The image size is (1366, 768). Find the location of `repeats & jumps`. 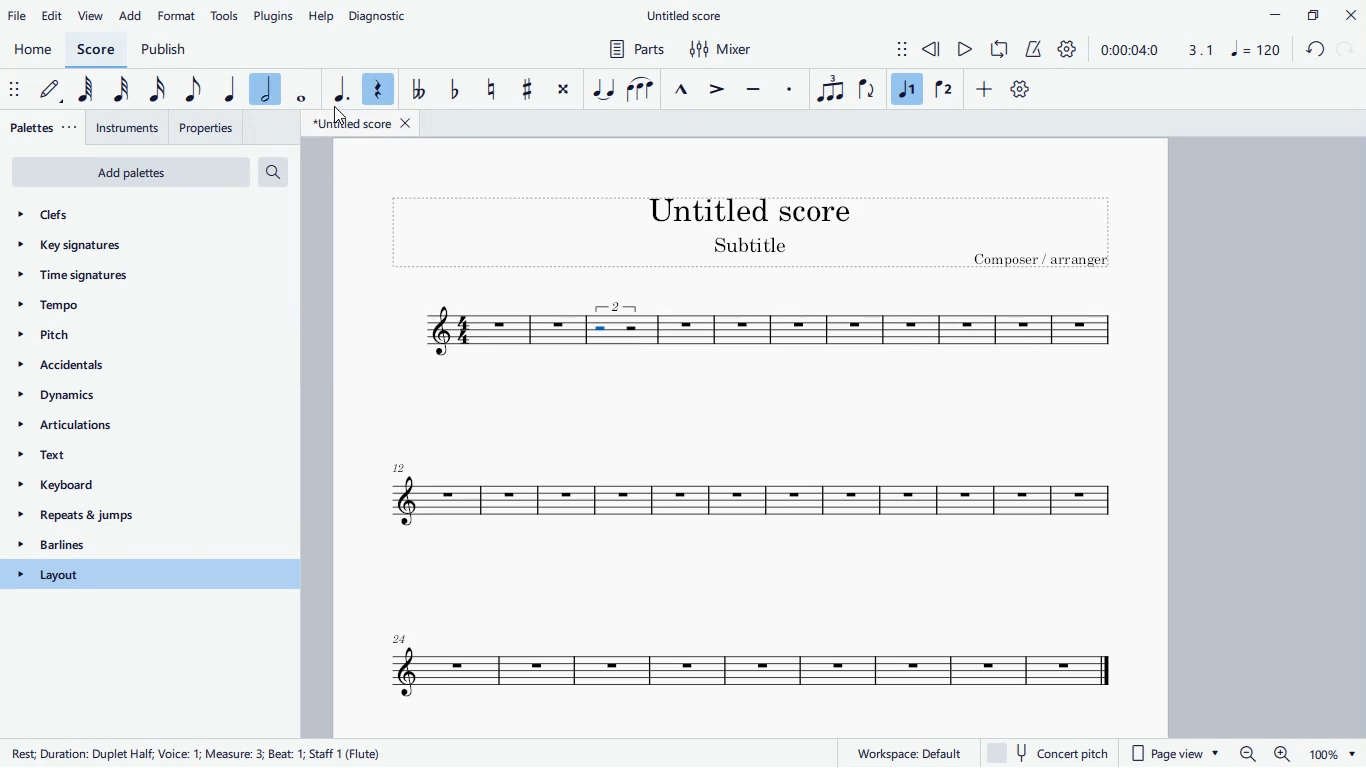

repeats & jumps is located at coordinates (128, 517).